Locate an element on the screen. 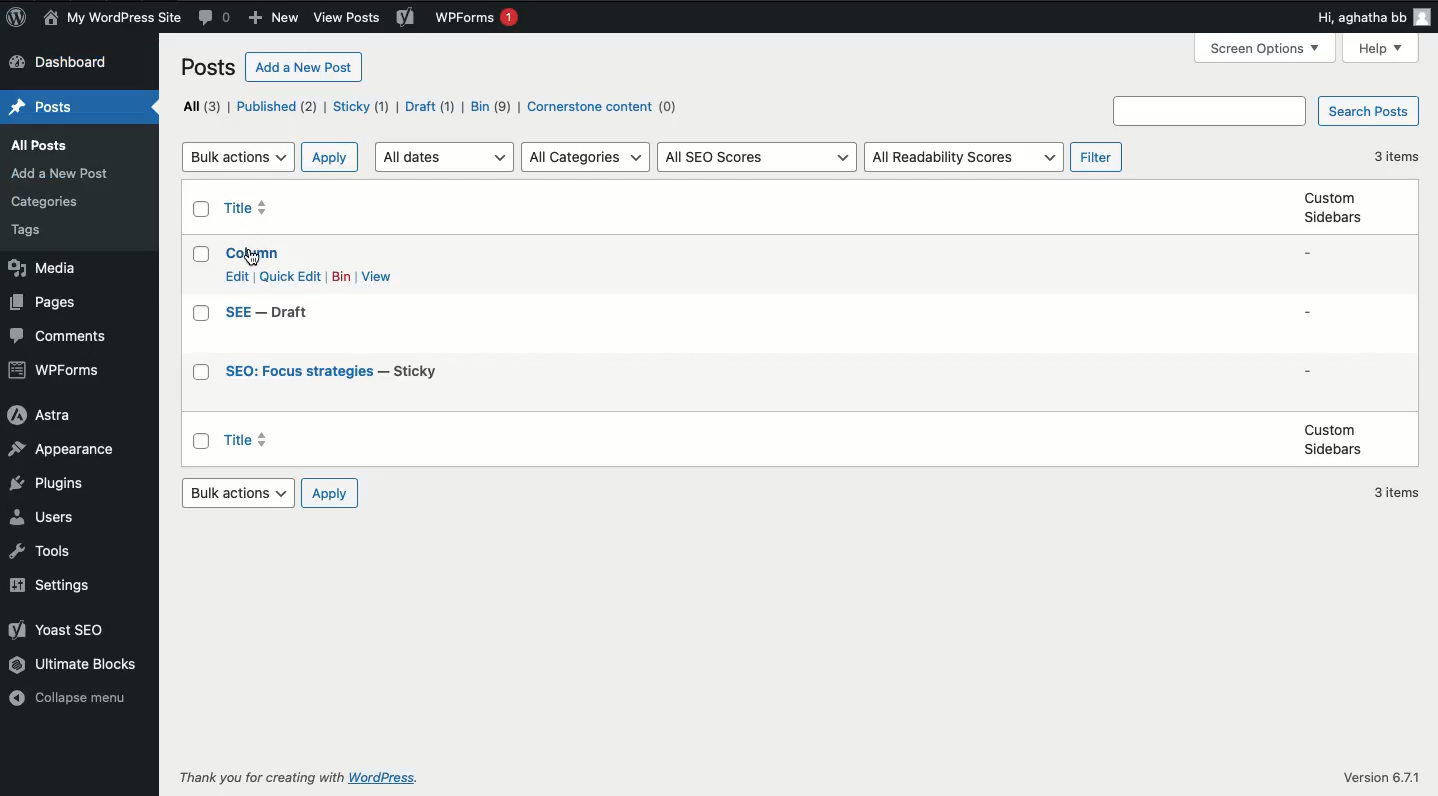 This screenshot has width=1438, height=796. checkbox is located at coordinates (201, 373).